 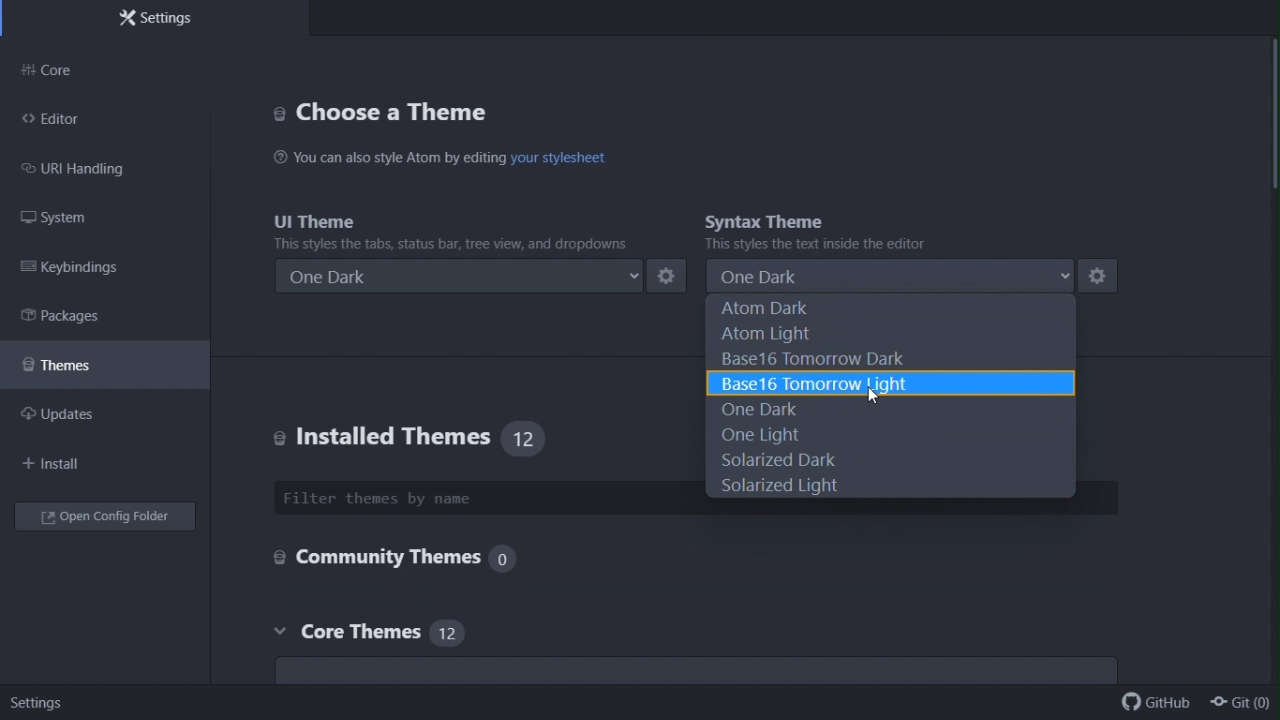 What do you see at coordinates (403, 433) in the screenshot?
I see `Installed themes` at bounding box center [403, 433].